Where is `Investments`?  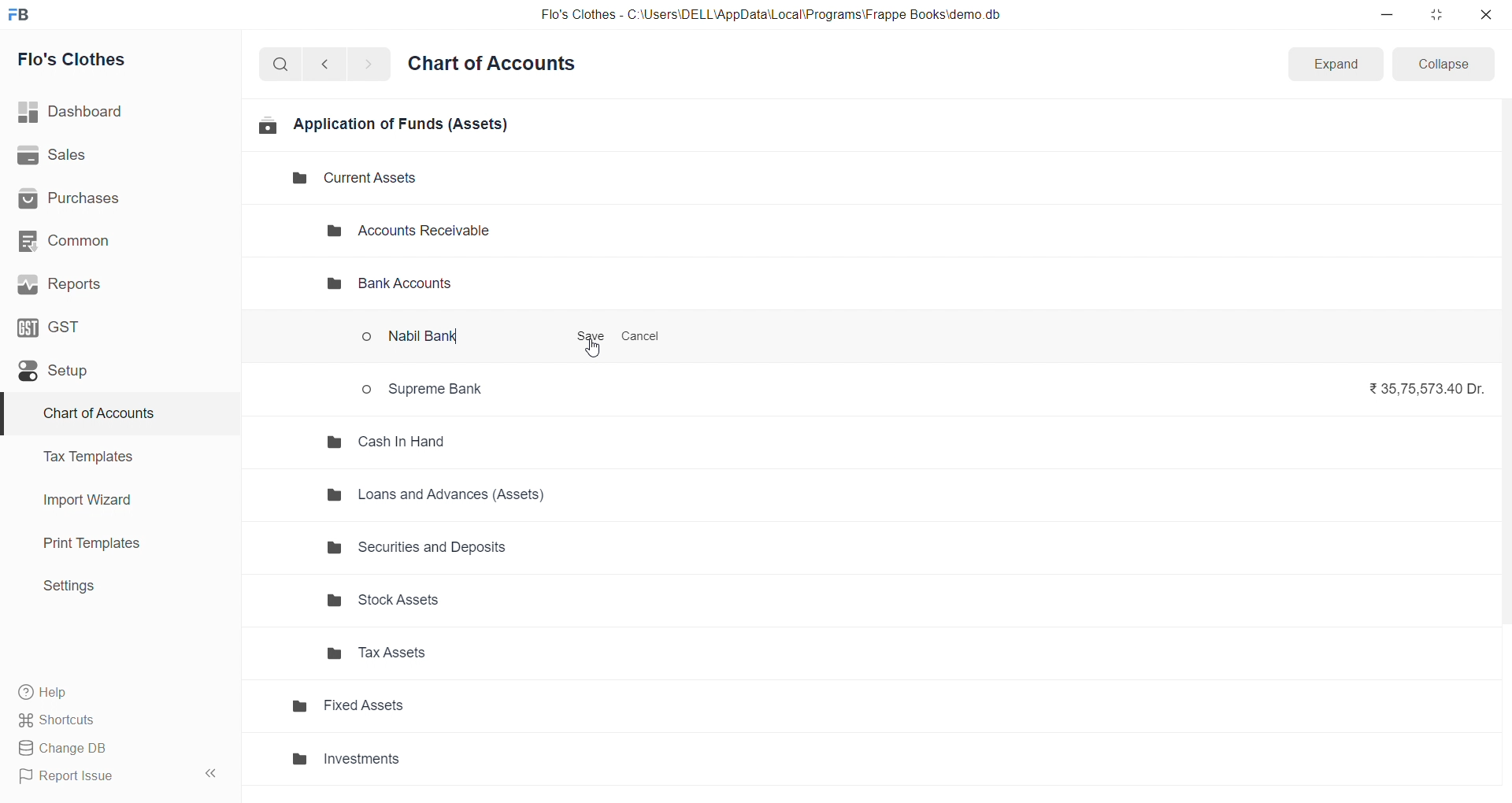
Investments is located at coordinates (433, 760).